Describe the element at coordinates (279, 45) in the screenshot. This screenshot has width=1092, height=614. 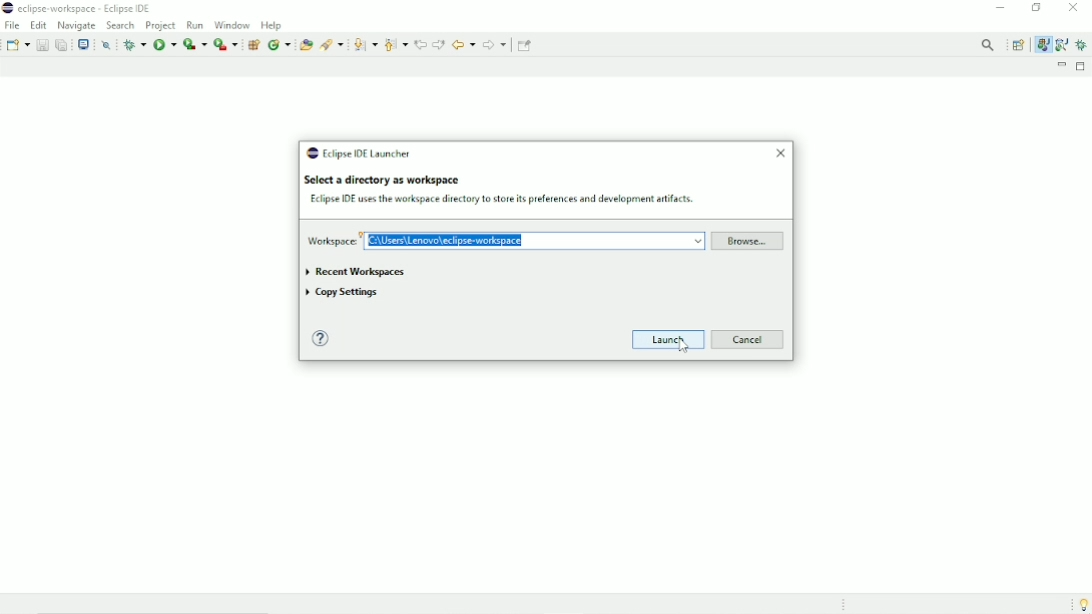
I see `New java class` at that location.